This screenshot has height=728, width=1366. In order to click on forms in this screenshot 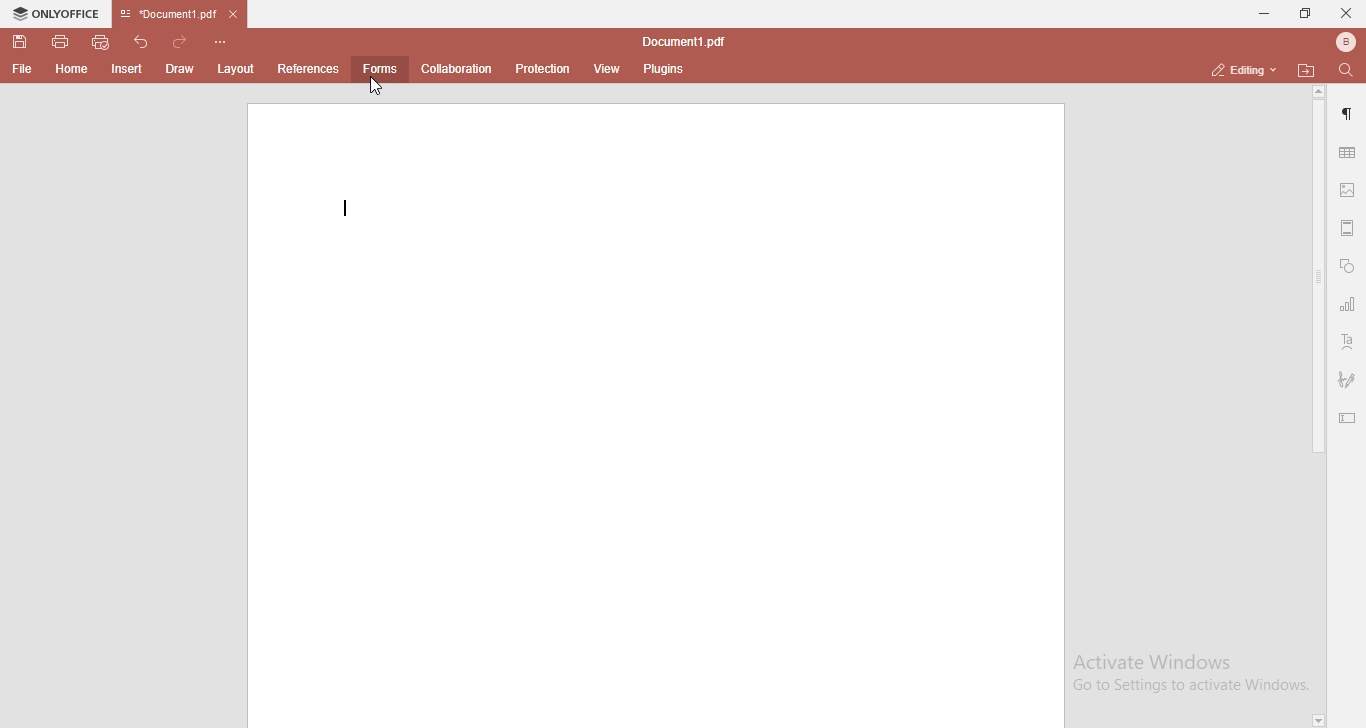, I will do `click(380, 69)`.